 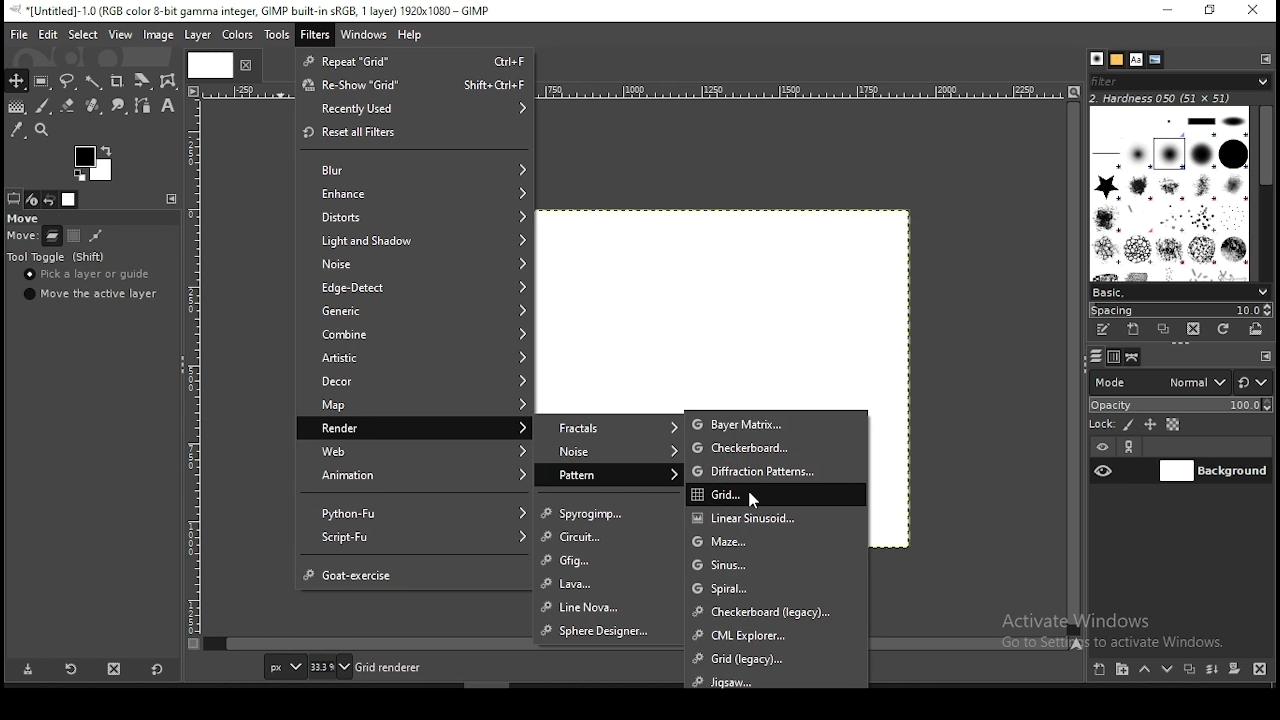 What do you see at coordinates (1128, 425) in the screenshot?
I see `lock pixels` at bounding box center [1128, 425].